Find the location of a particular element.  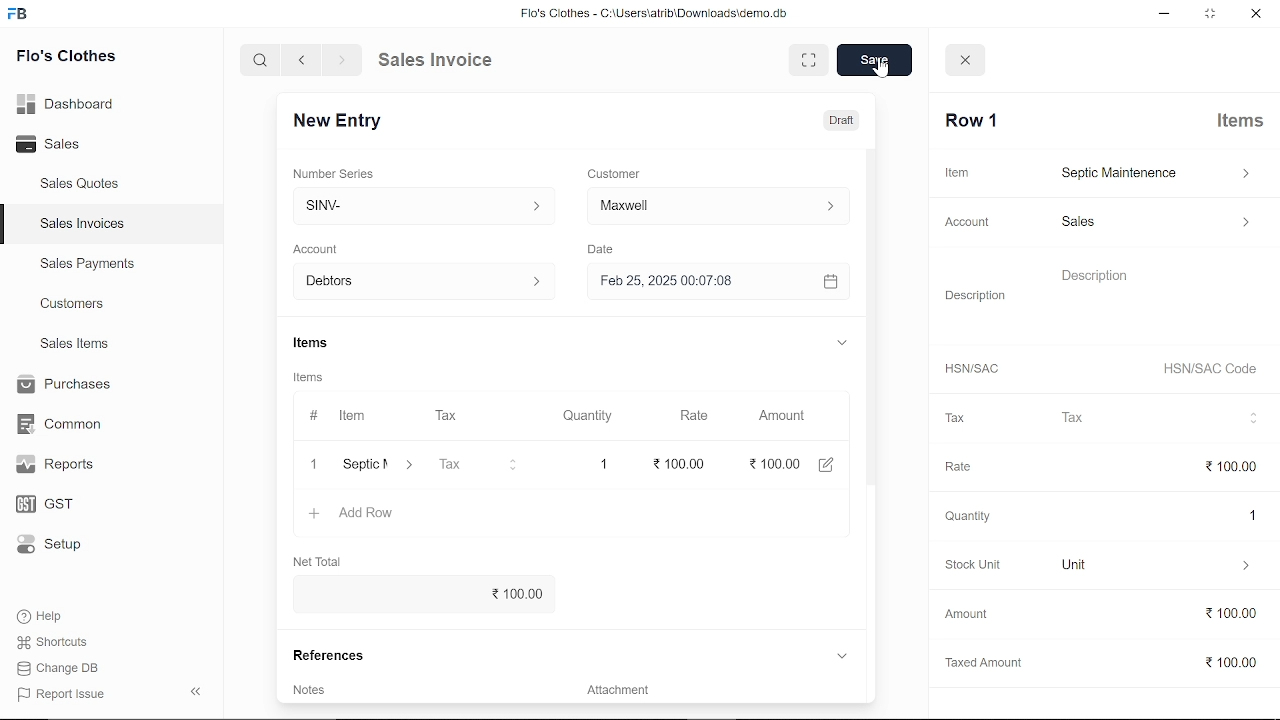

‘Septic Maintenence is located at coordinates (362, 466).